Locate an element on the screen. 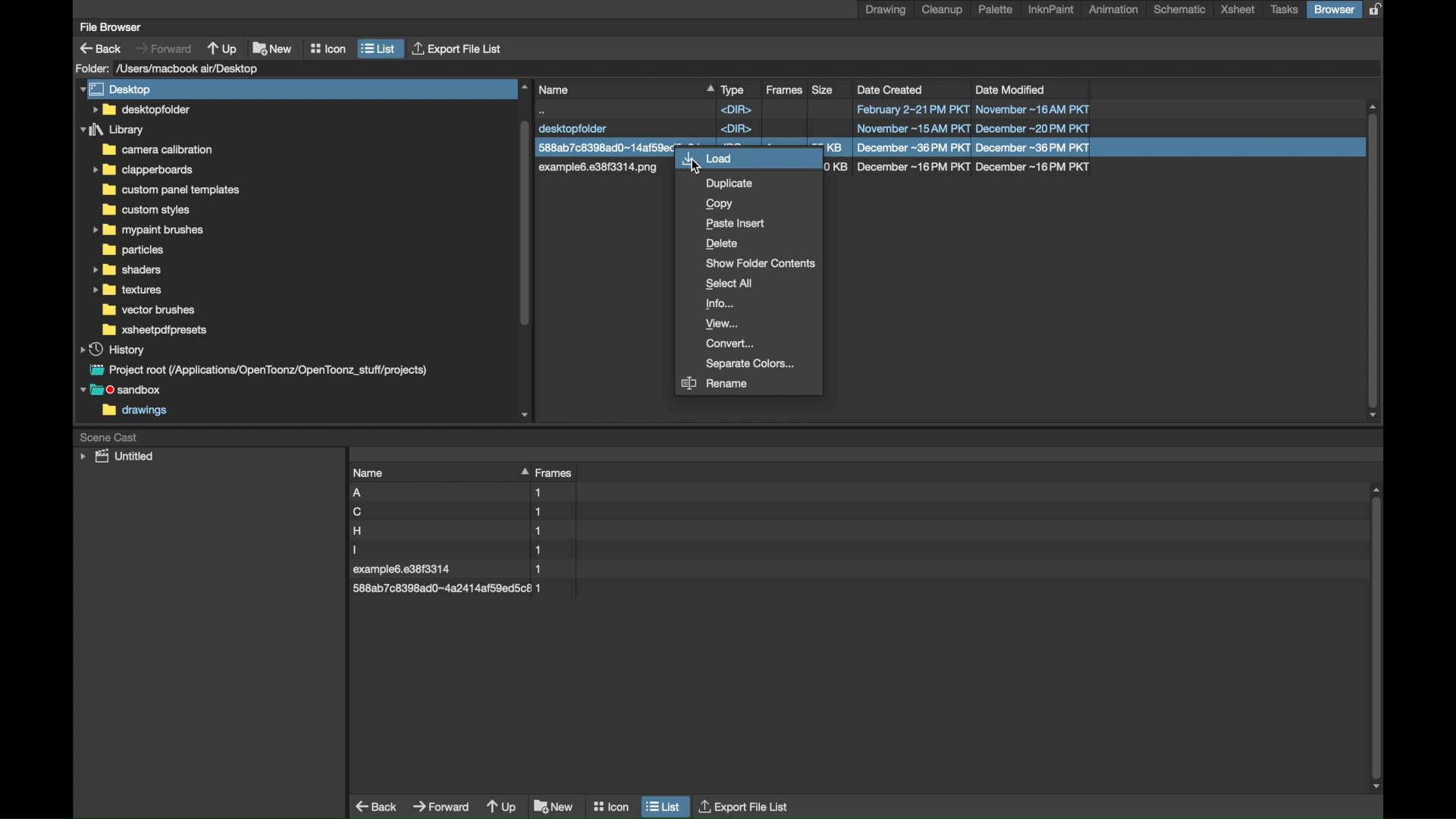 The width and height of the screenshot is (1456, 819). cursor is located at coordinates (704, 168).